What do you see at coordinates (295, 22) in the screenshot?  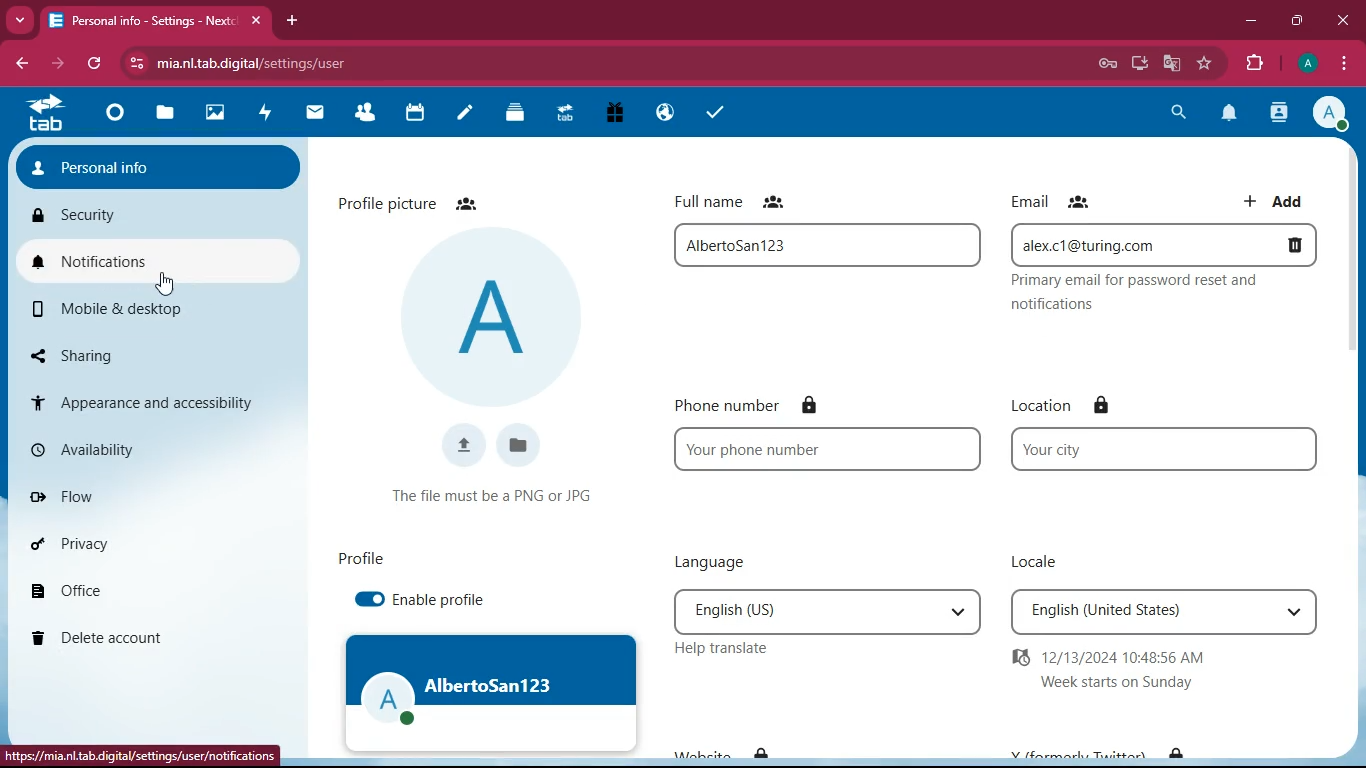 I see `add tab` at bounding box center [295, 22].